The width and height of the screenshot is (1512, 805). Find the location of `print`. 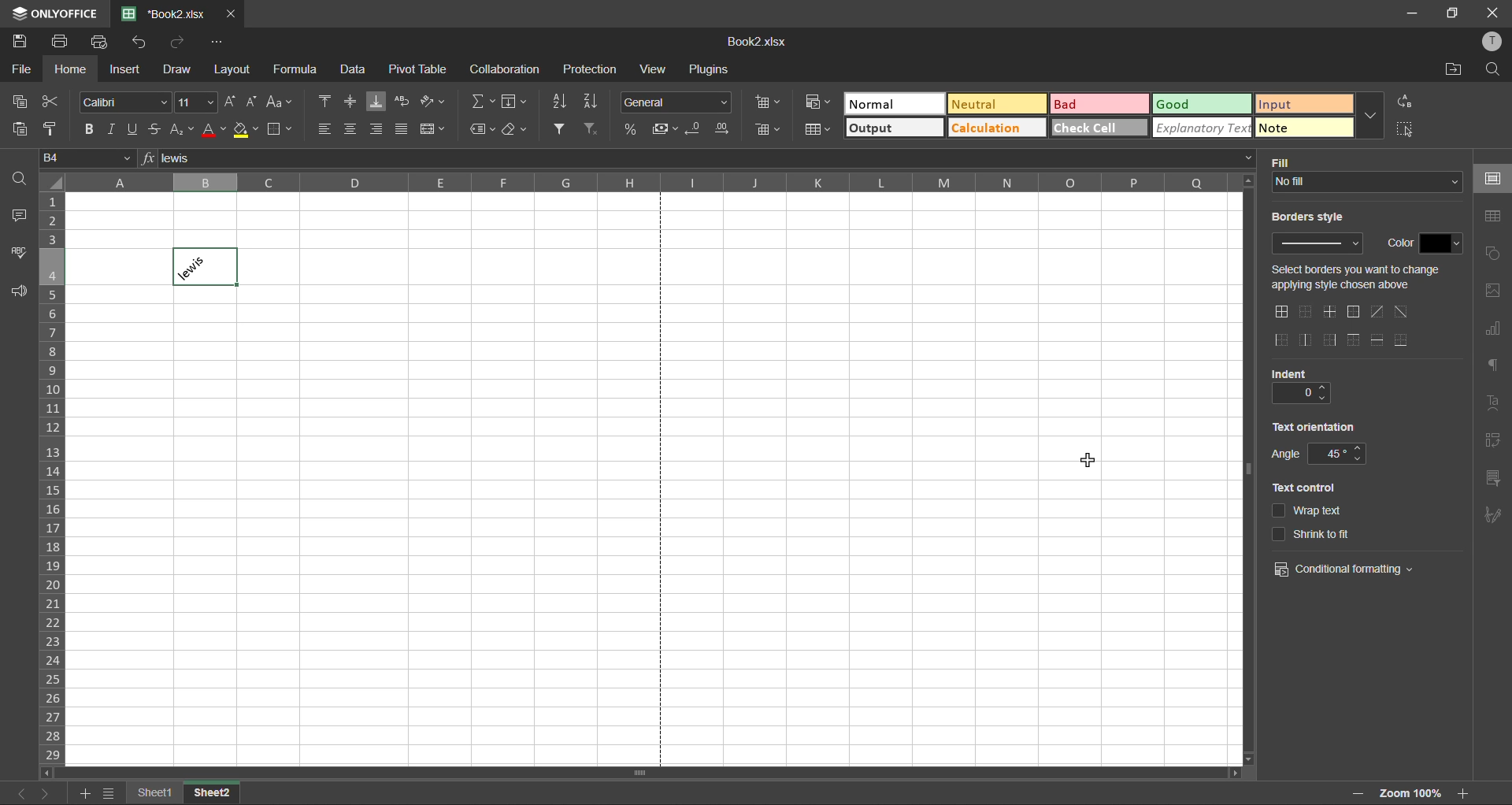

print is located at coordinates (59, 41).